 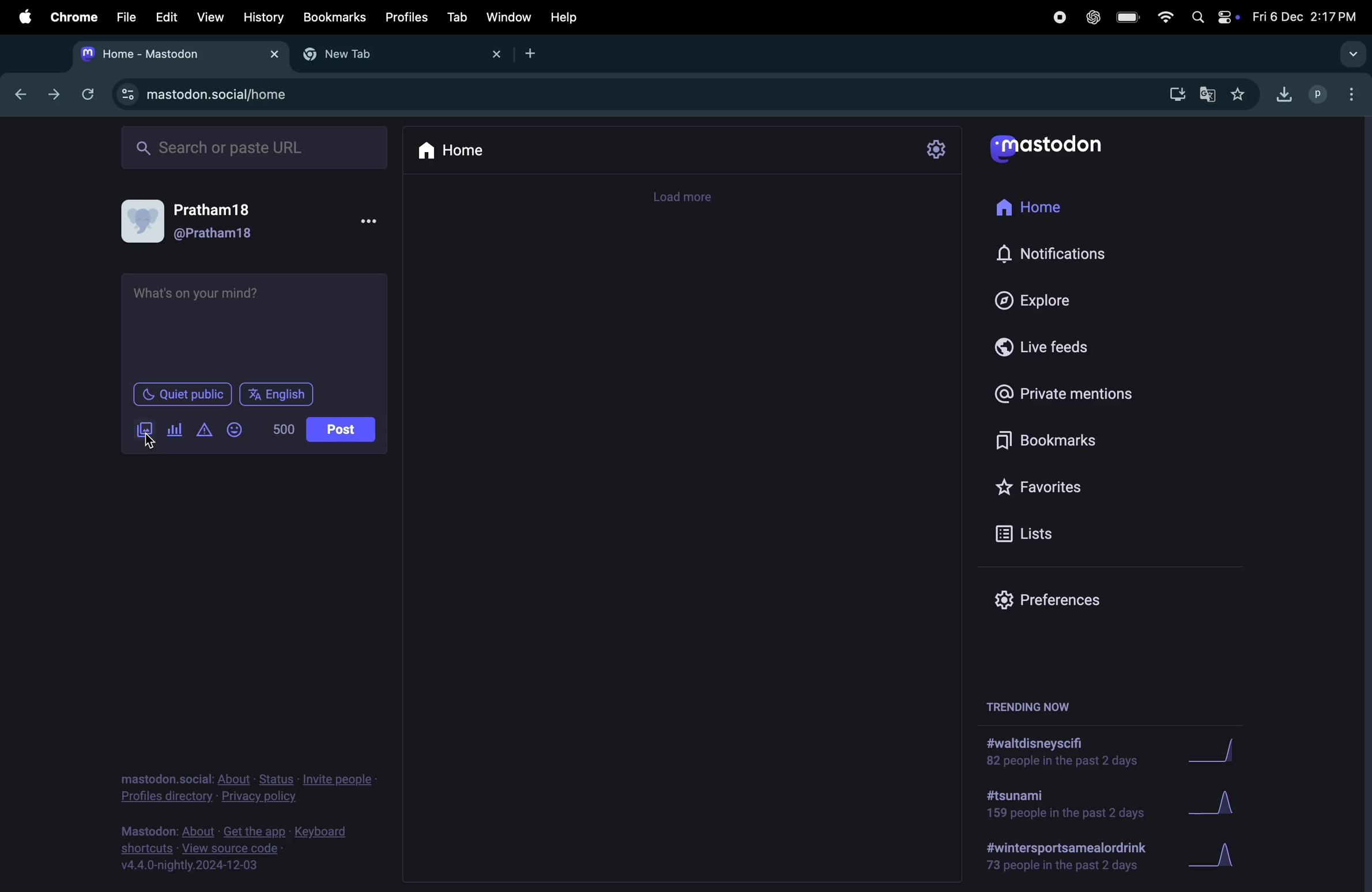 I want to click on options, so click(x=1356, y=97).